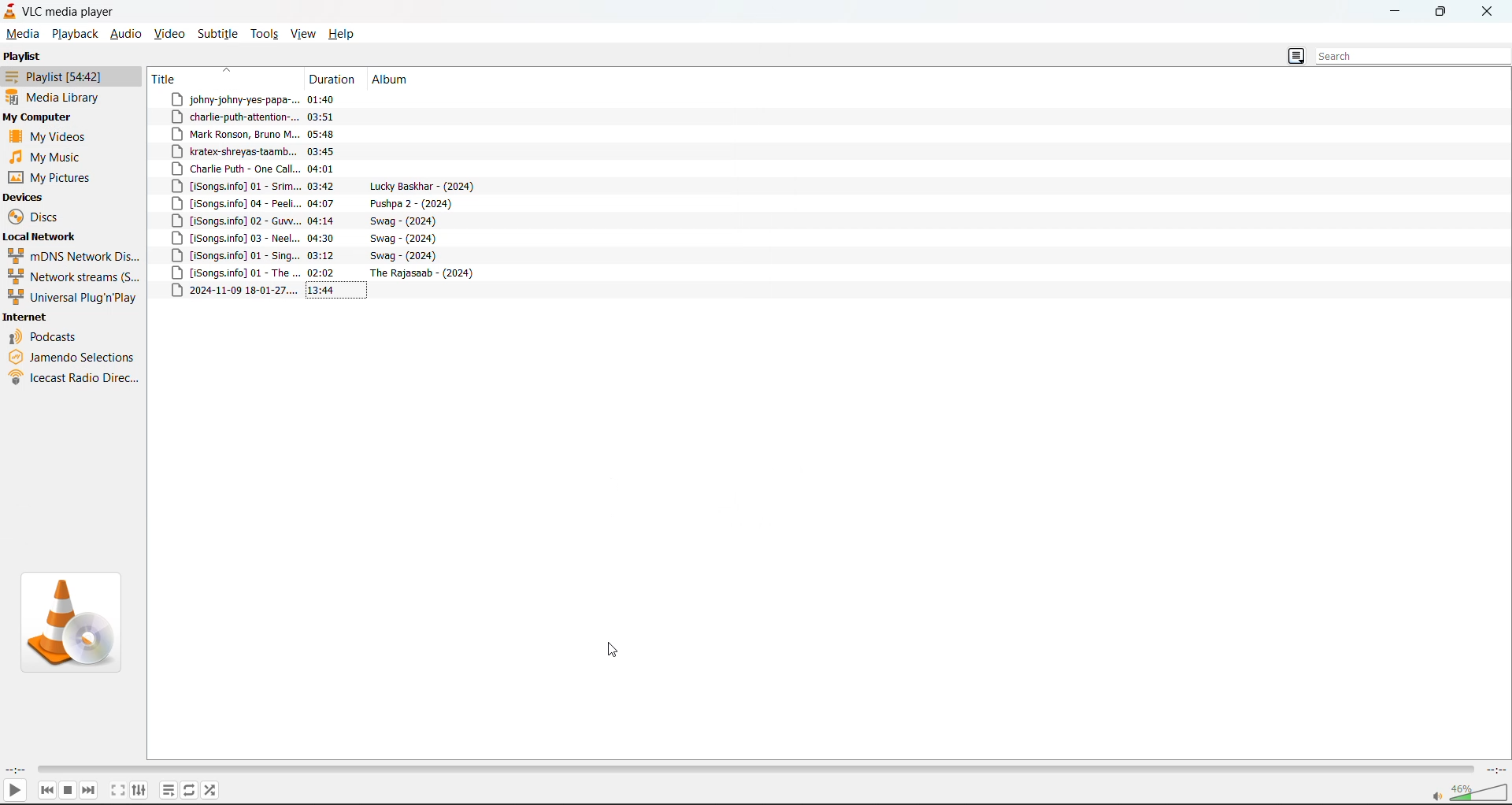 The height and width of the screenshot is (805, 1512). I want to click on internet, so click(28, 318).